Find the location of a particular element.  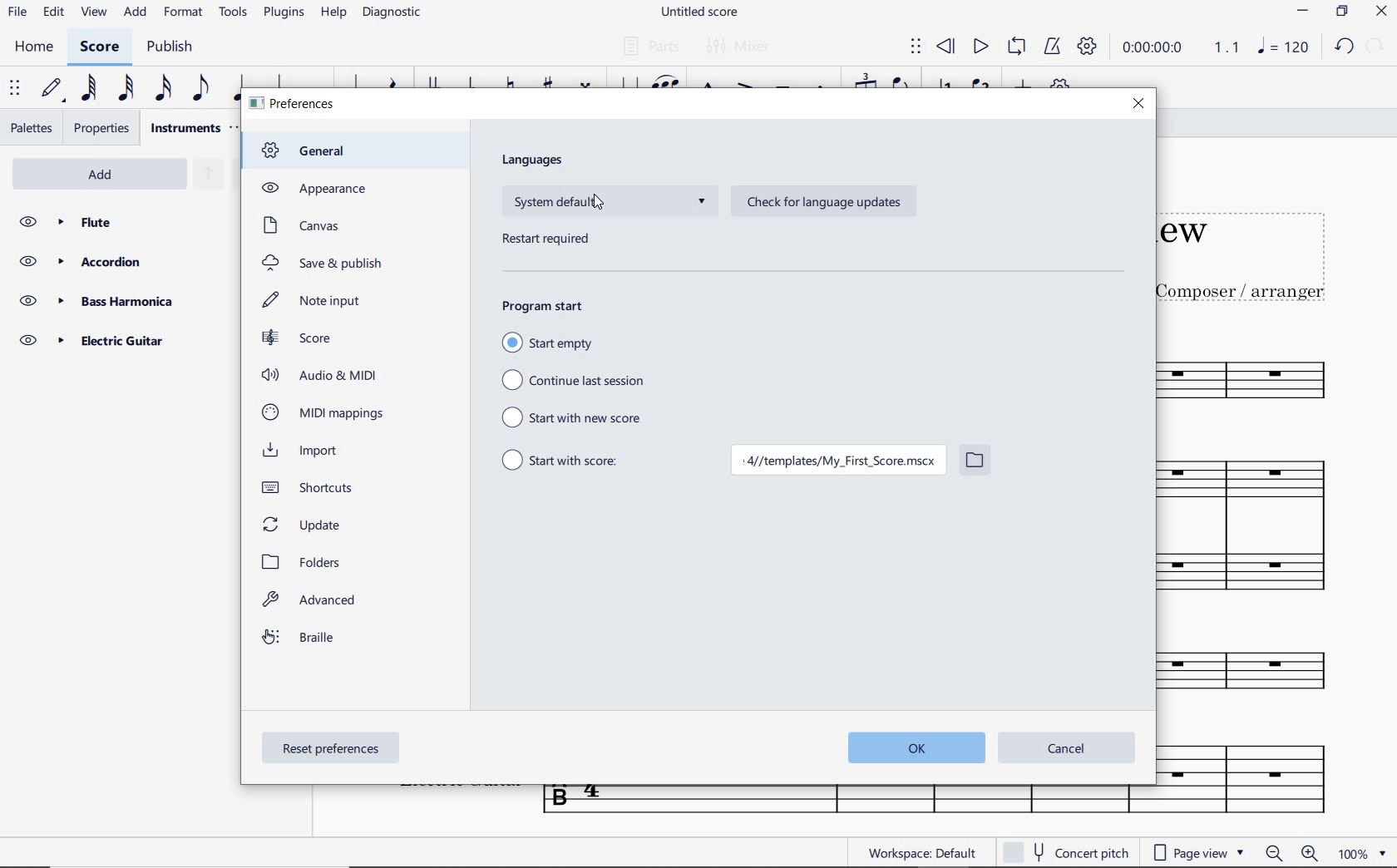

reset preferences is located at coordinates (333, 750).